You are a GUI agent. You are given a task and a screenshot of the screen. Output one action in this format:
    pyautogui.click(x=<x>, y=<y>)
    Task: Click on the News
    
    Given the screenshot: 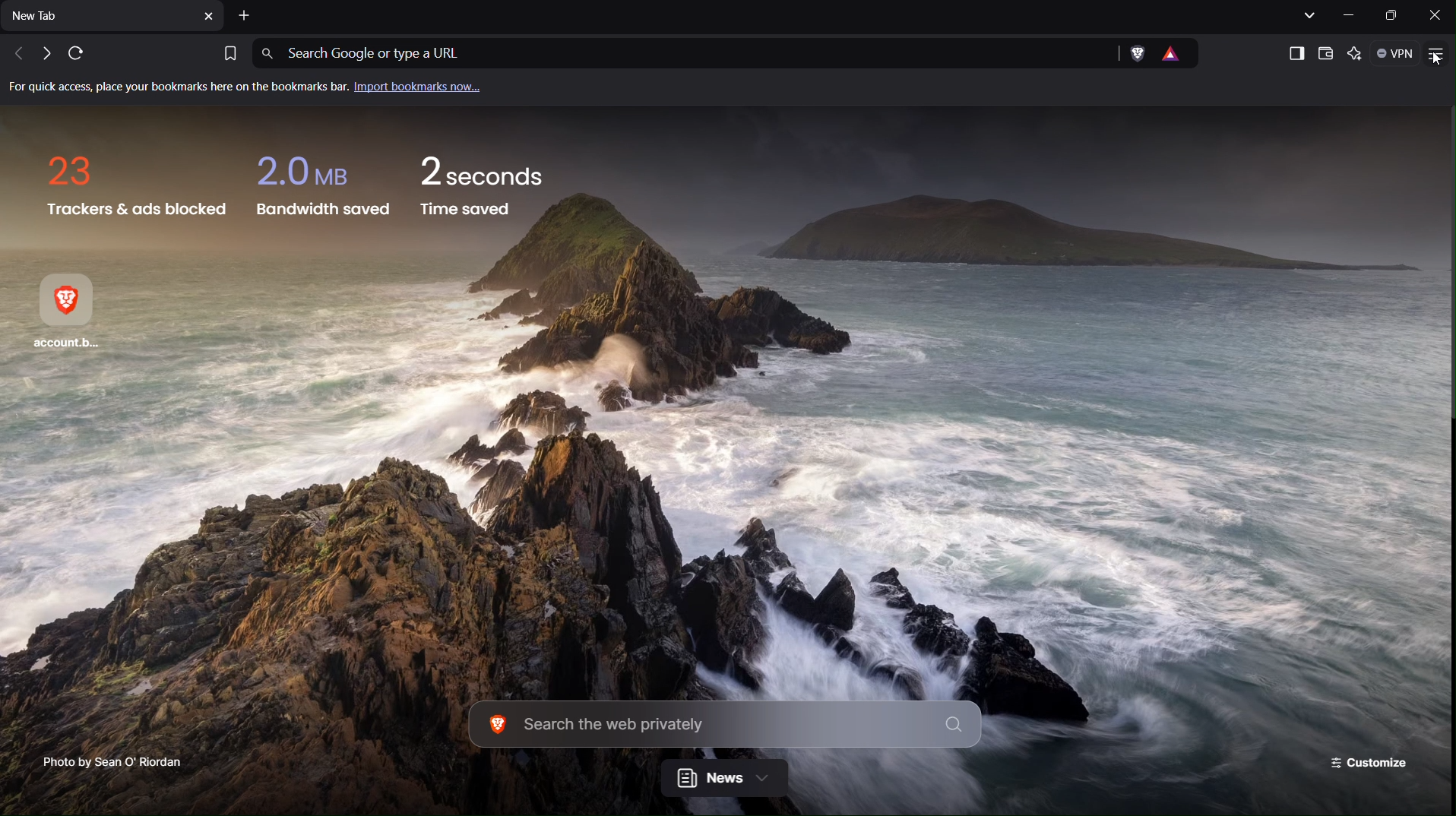 What is the action you would take?
    pyautogui.click(x=724, y=780)
    